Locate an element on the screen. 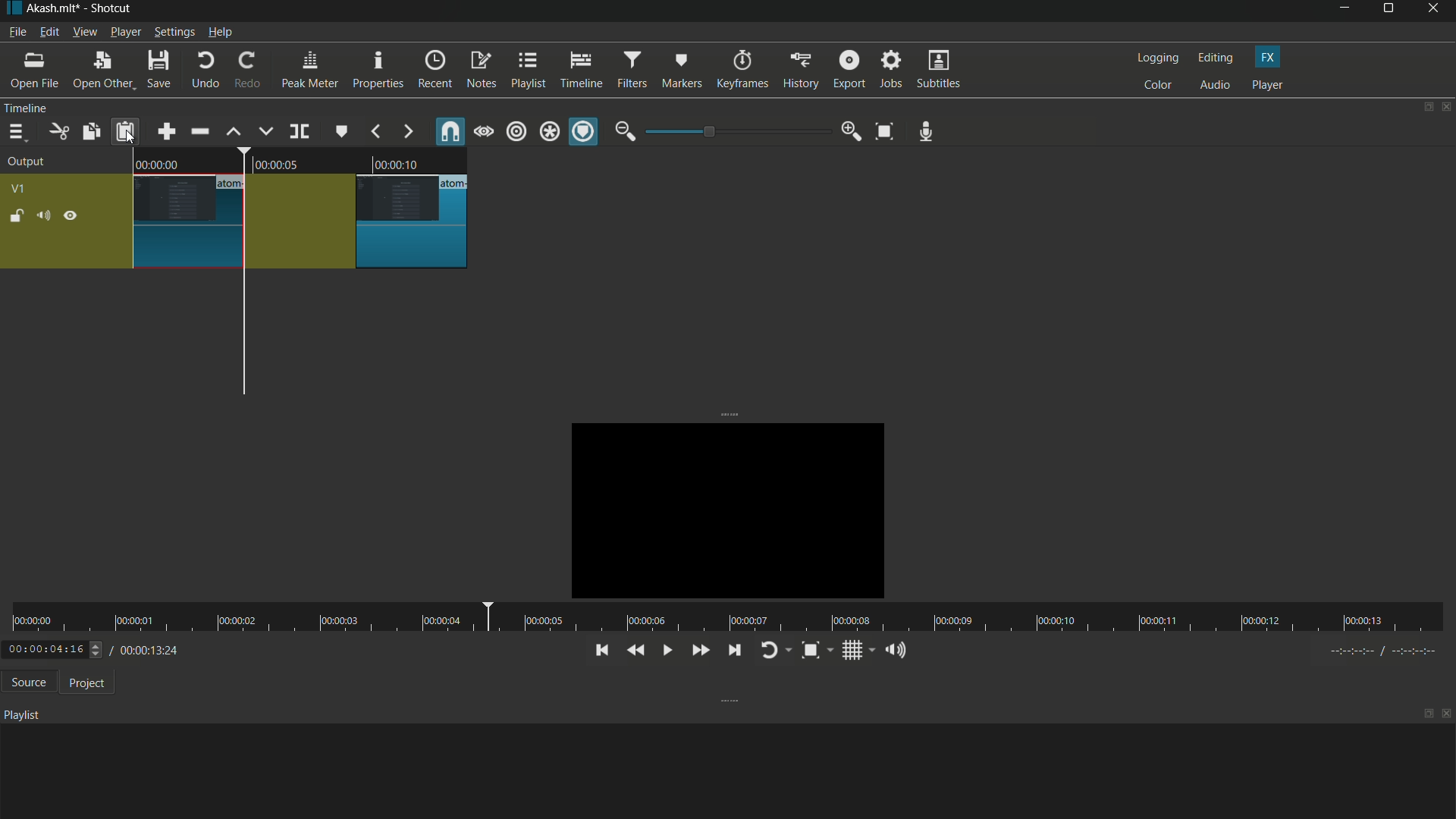 The image size is (1456, 819). open file is located at coordinates (33, 70).